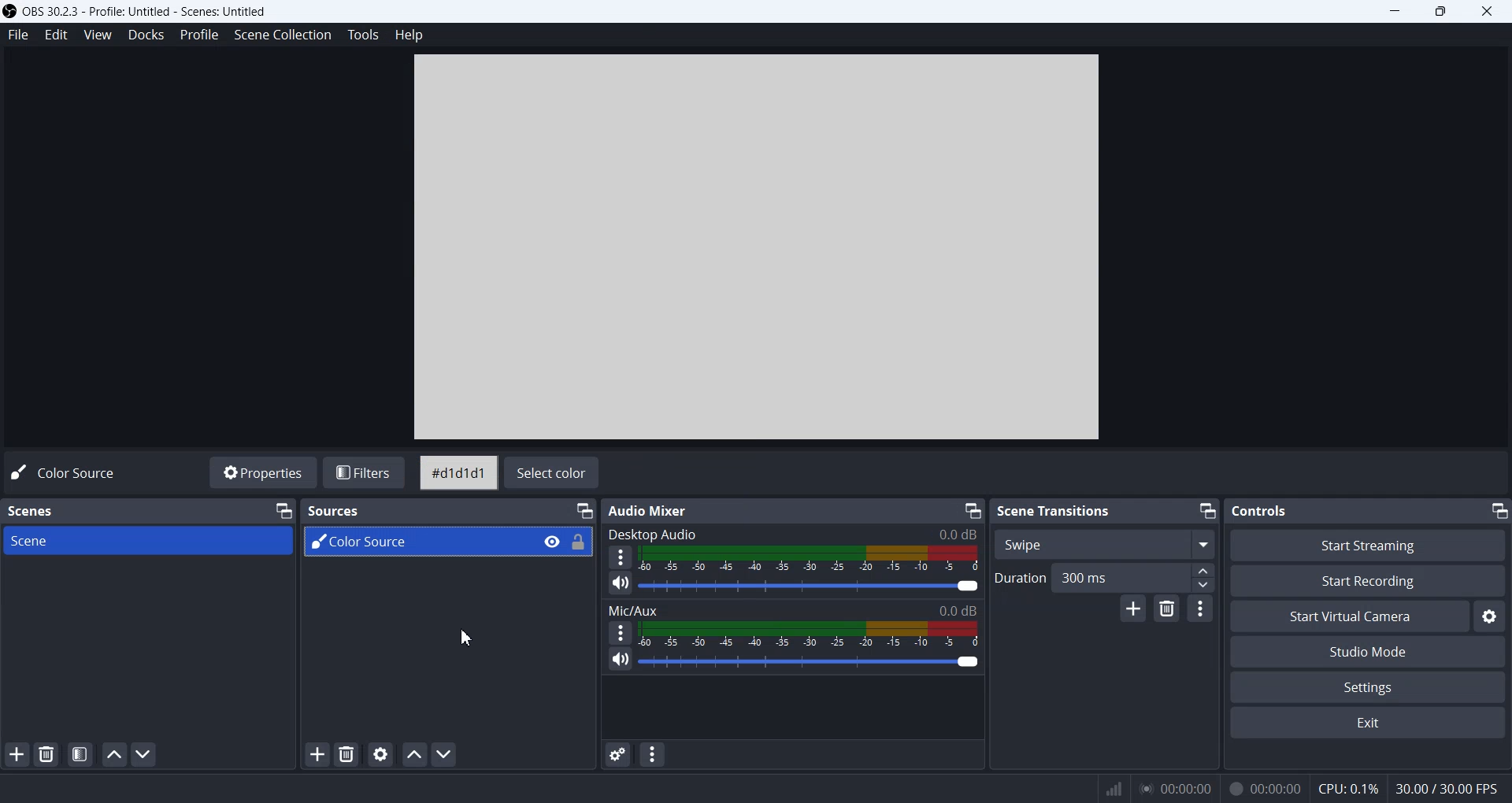 The image size is (1512, 803). I want to click on Volume Indicator, so click(812, 560).